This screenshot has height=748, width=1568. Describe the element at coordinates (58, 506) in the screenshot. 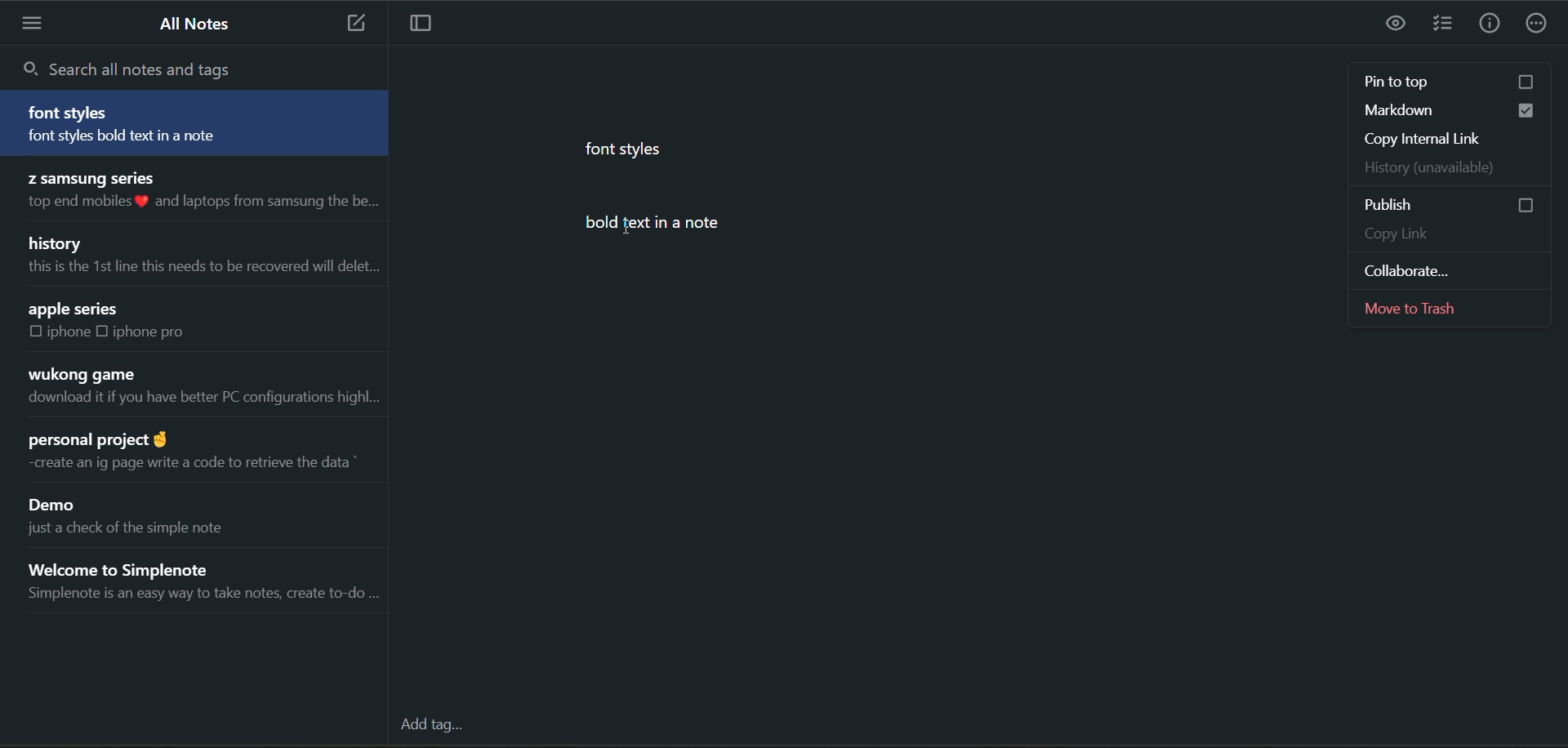

I see `Demo` at that location.